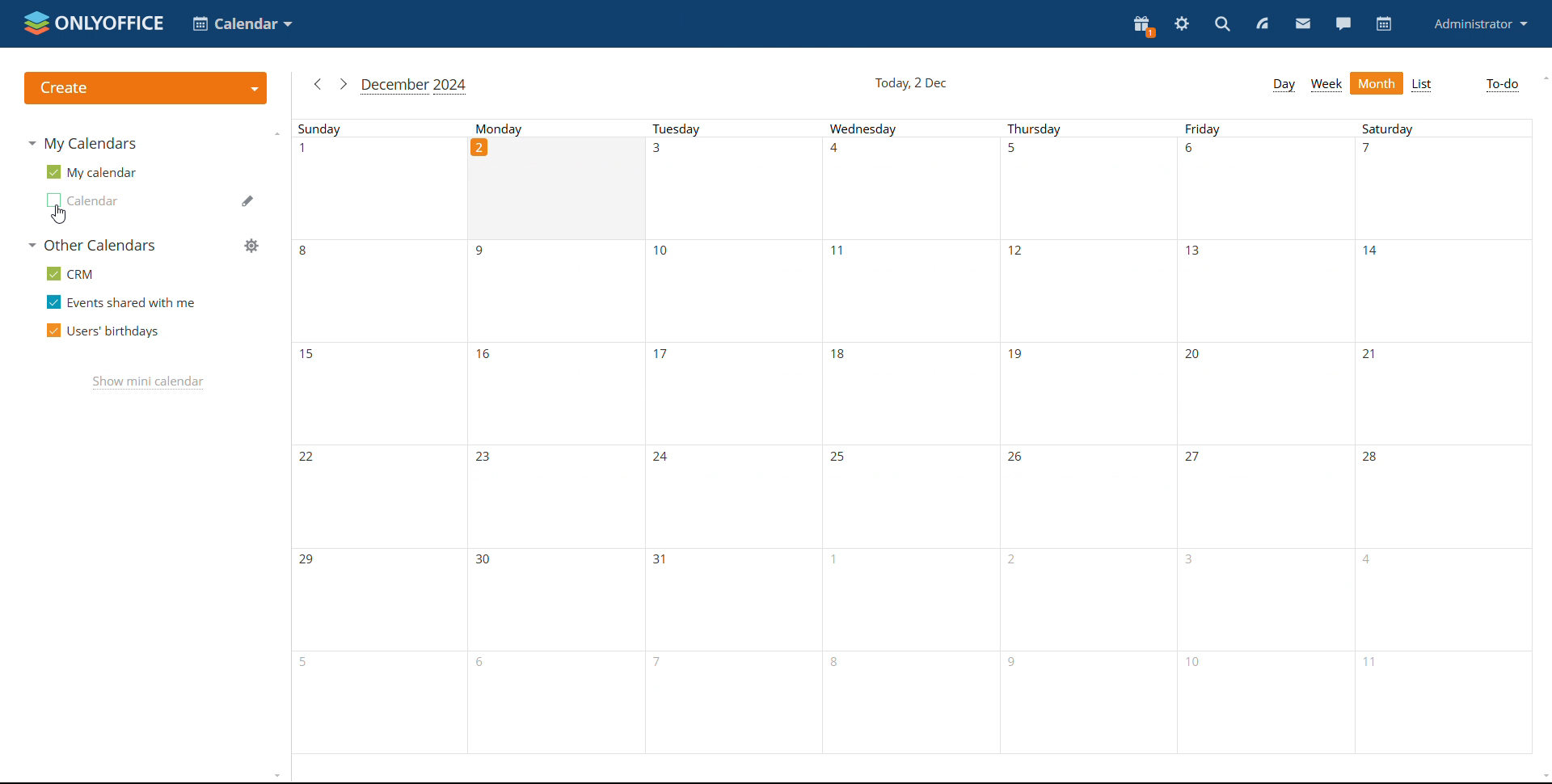 The width and height of the screenshot is (1552, 784). Describe the element at coordinates (376, 493) in the screenshot. I see `22` at that location.